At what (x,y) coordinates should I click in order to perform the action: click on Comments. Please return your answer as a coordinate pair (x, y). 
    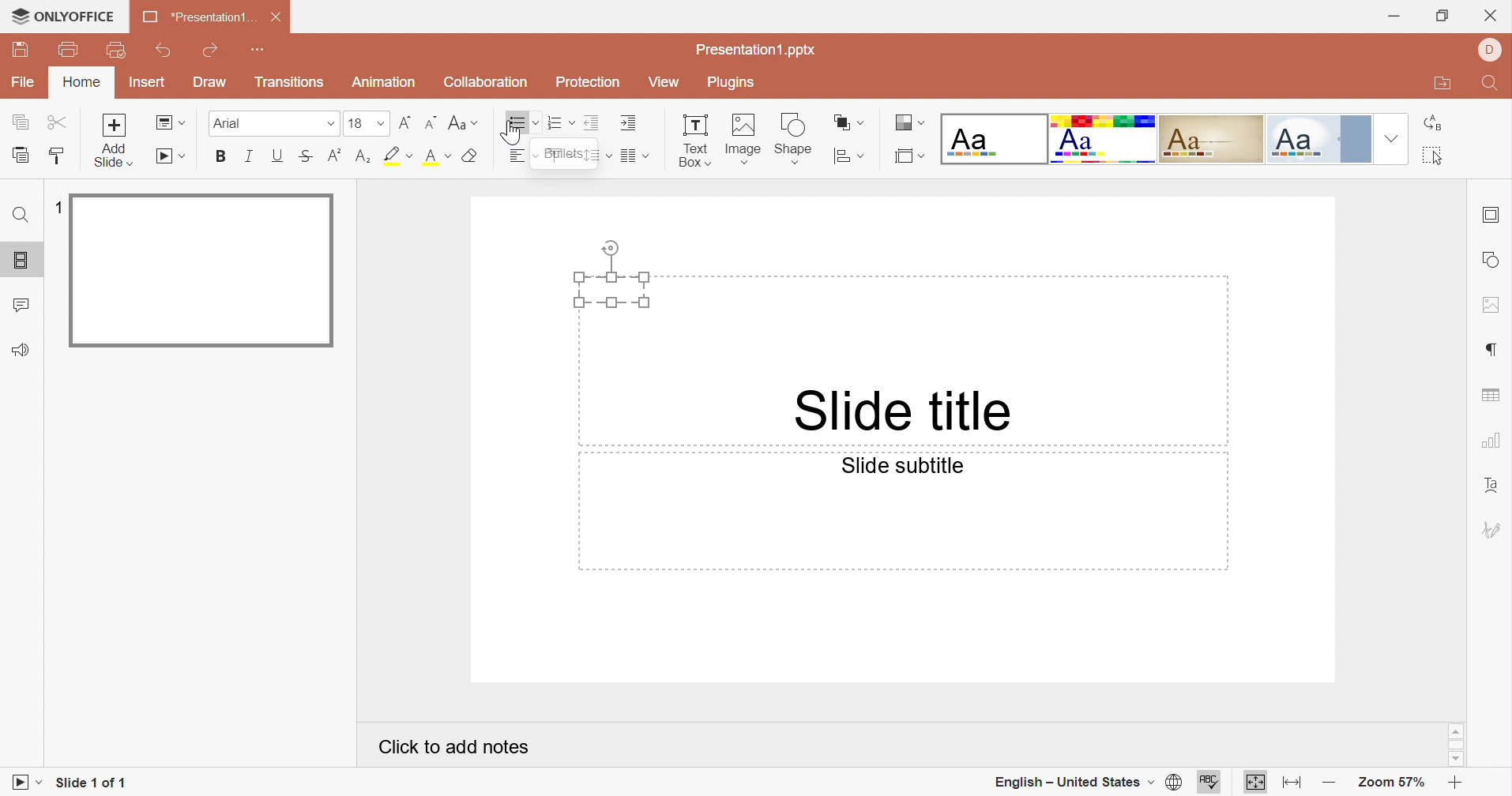
    Looking at the image, I should click on (22, 306).